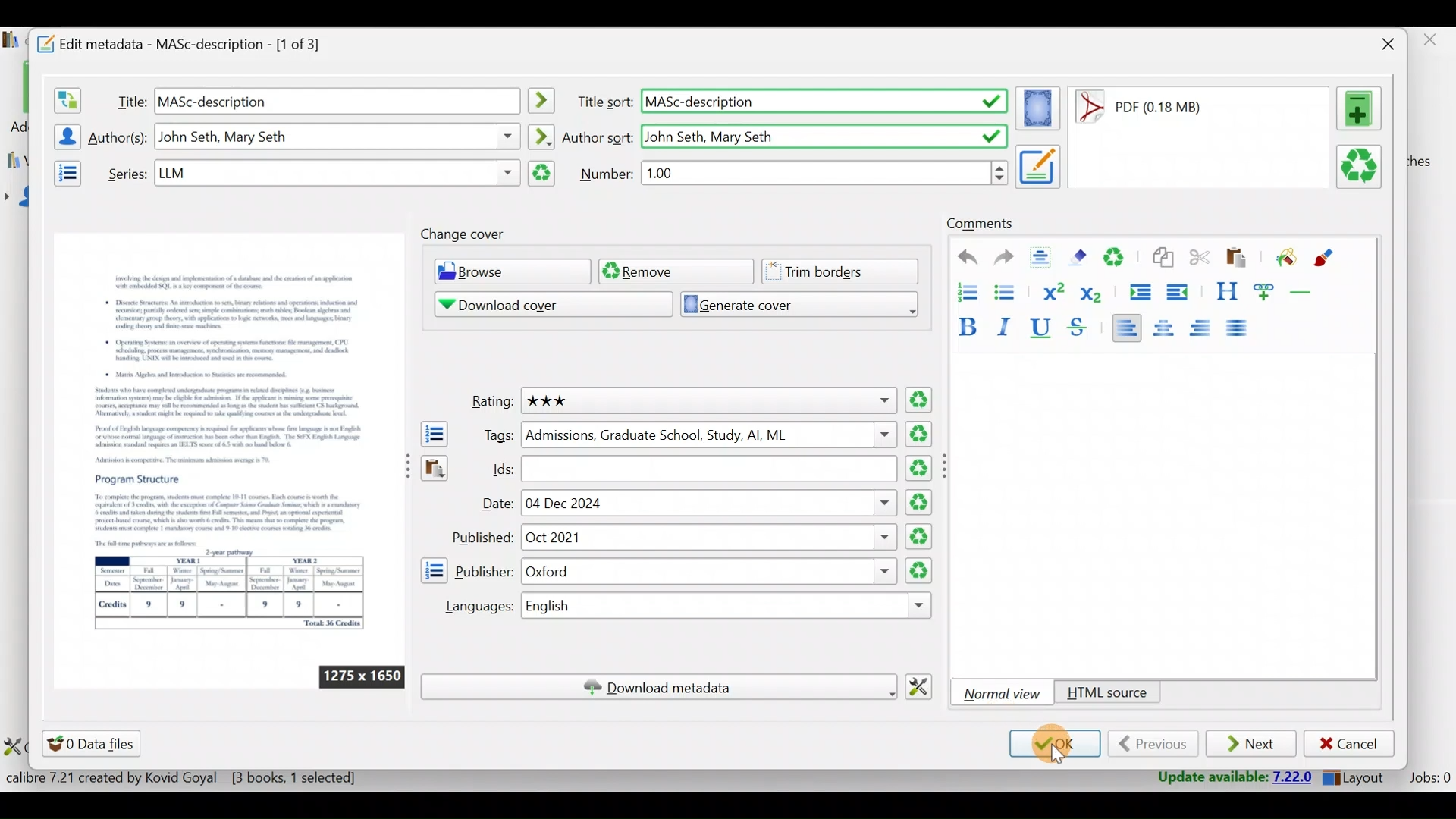 Image resolution: width=1456 pixels, height=819 pixels. Describe the element at coordinates (1284, 259) in the screenshot. I see `Background colour` at that location.